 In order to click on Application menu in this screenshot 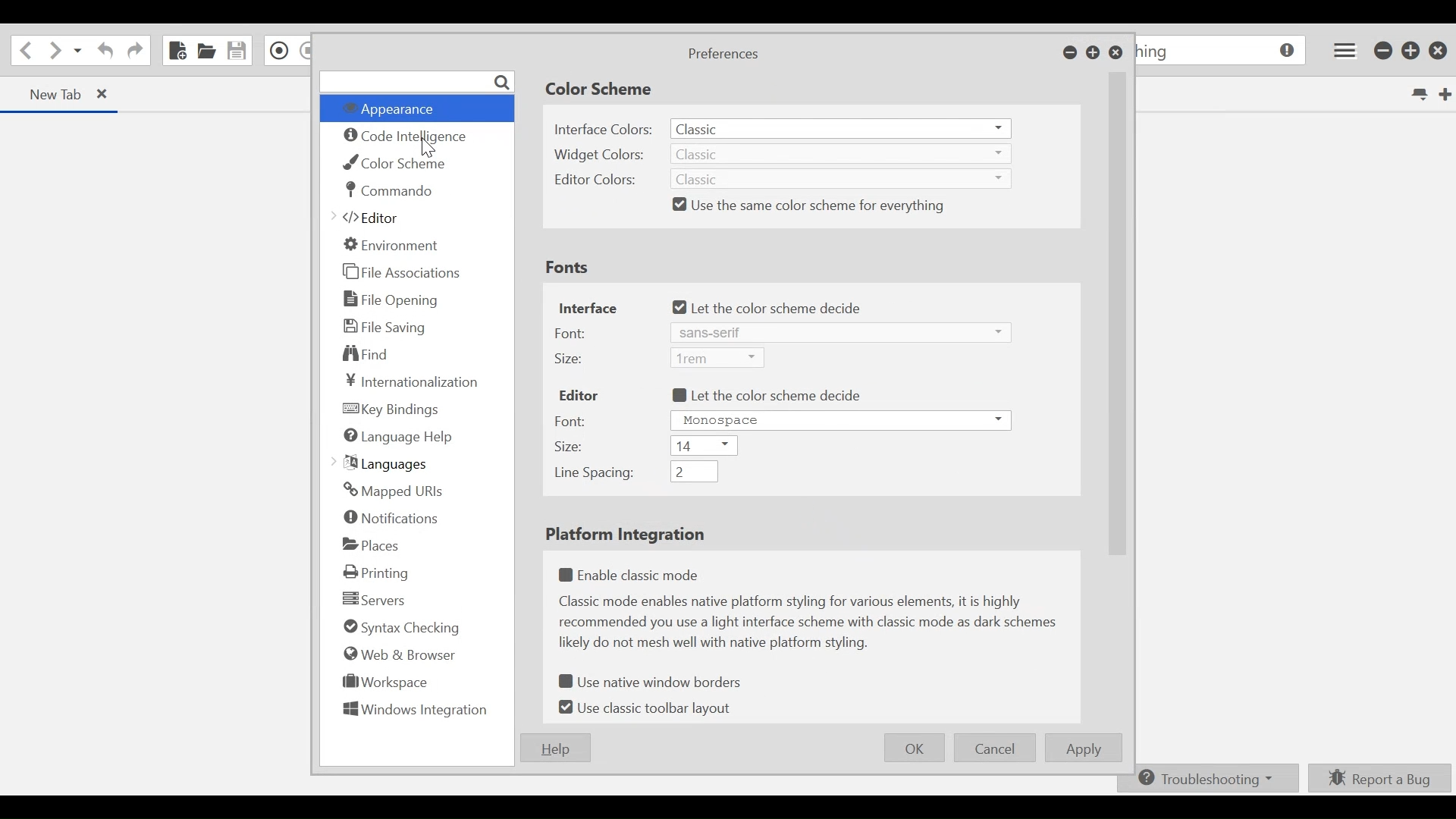, I will do `click(1341, 50)`.